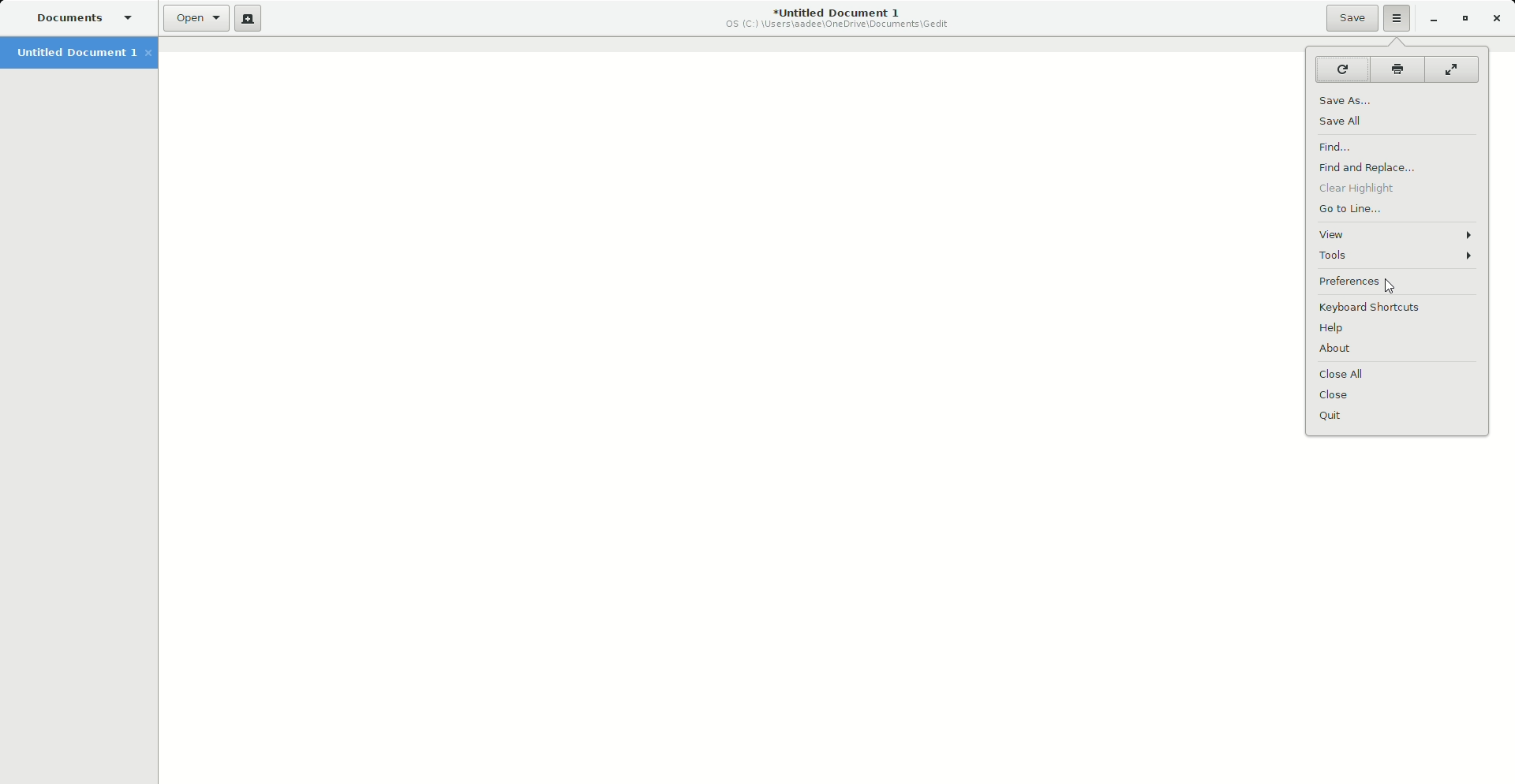  I want to click on Tools, so click(1397, 256).